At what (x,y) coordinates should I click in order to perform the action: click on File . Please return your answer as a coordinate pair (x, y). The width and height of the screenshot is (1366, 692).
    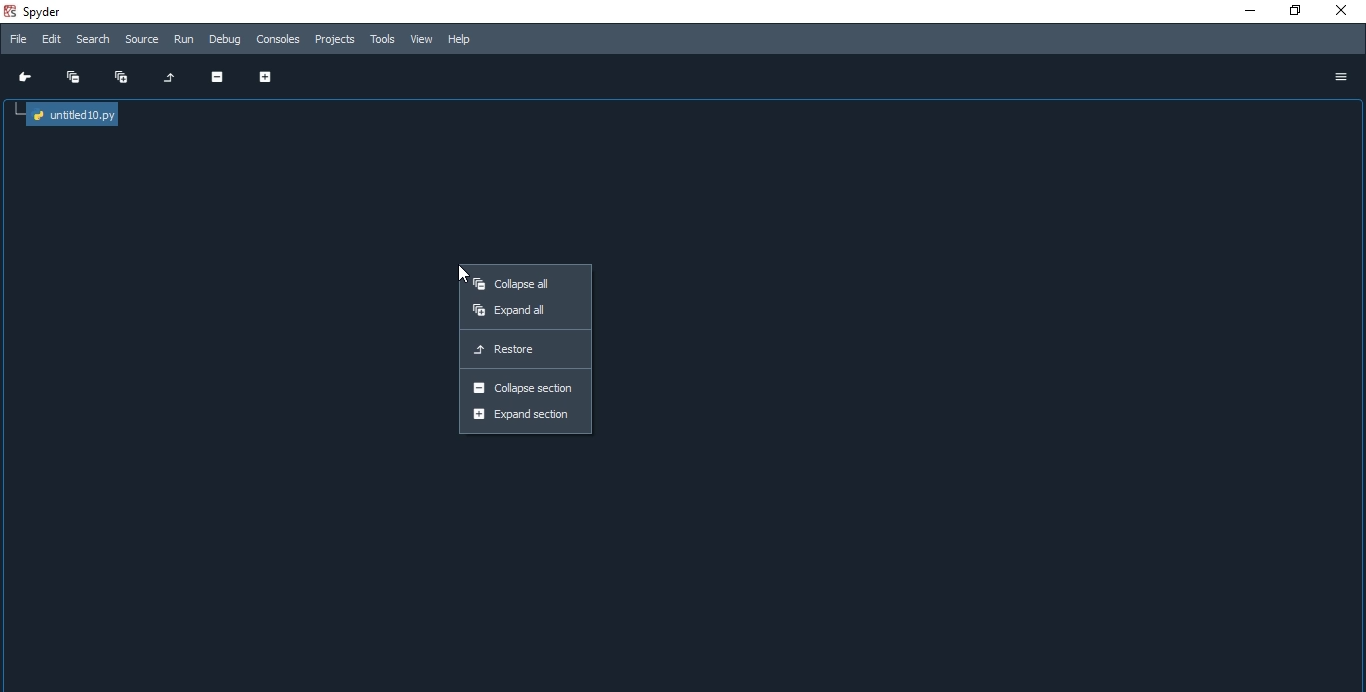
    Looking at the image, I should click on (19, 40).